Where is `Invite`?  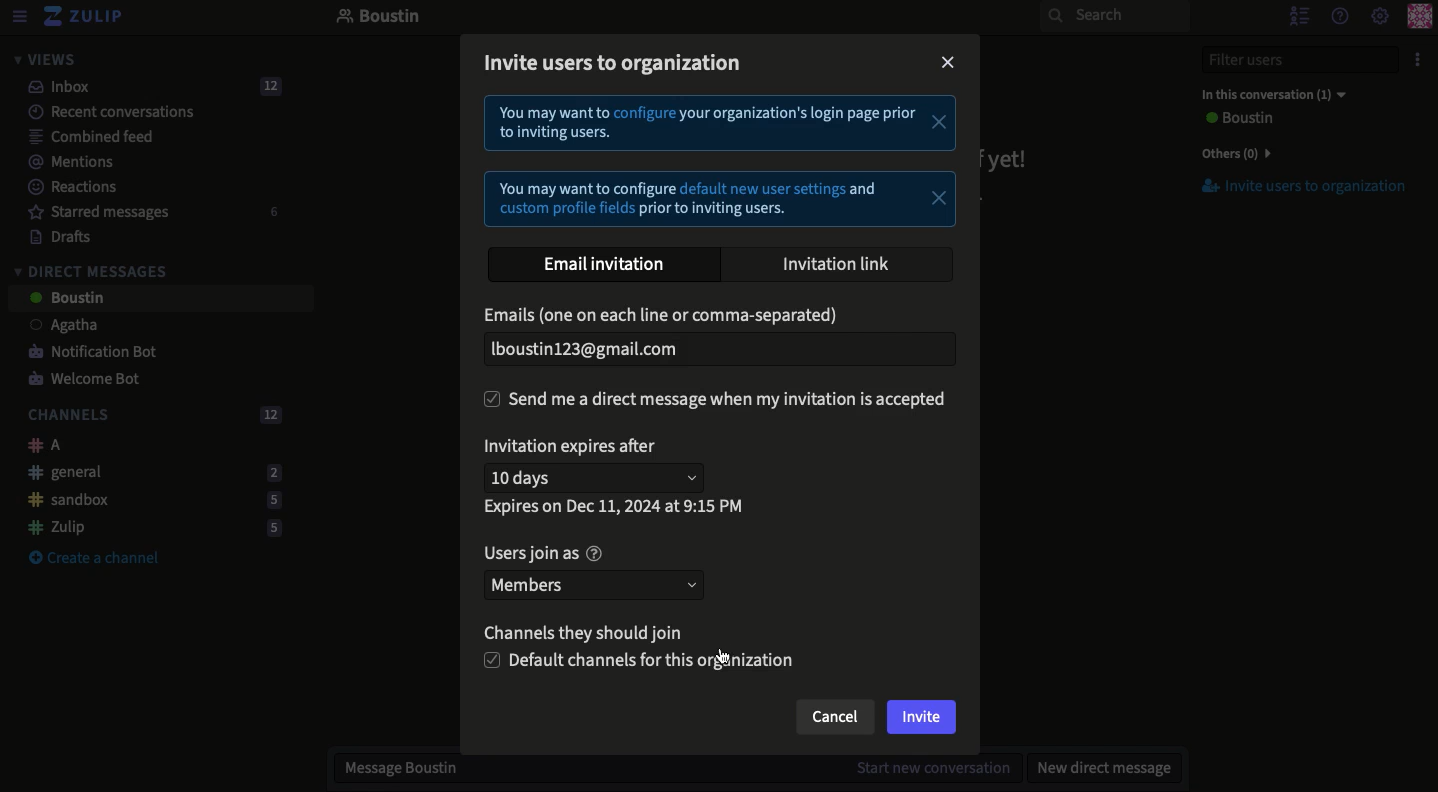
Invite is located at coordinates (922, 719).